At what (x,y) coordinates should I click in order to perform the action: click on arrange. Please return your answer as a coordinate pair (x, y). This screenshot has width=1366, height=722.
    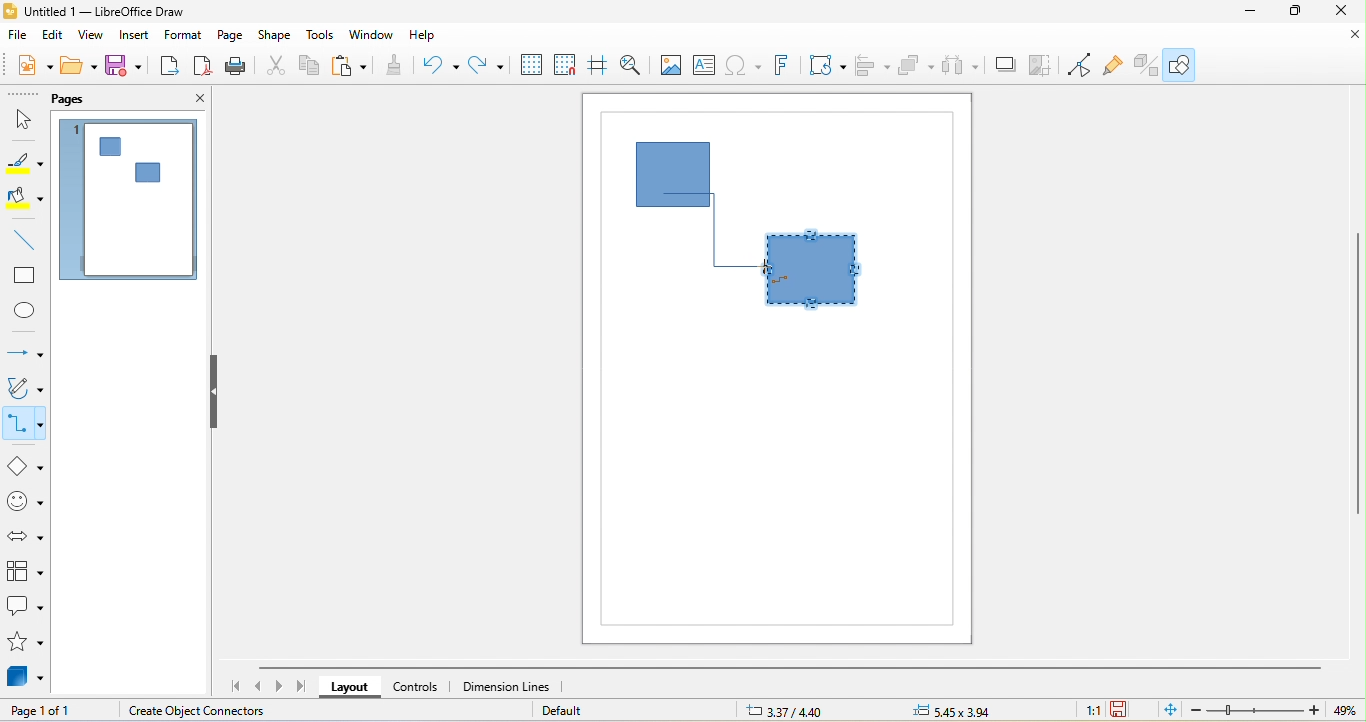
    Looking at the image, I should click on (917, 67).